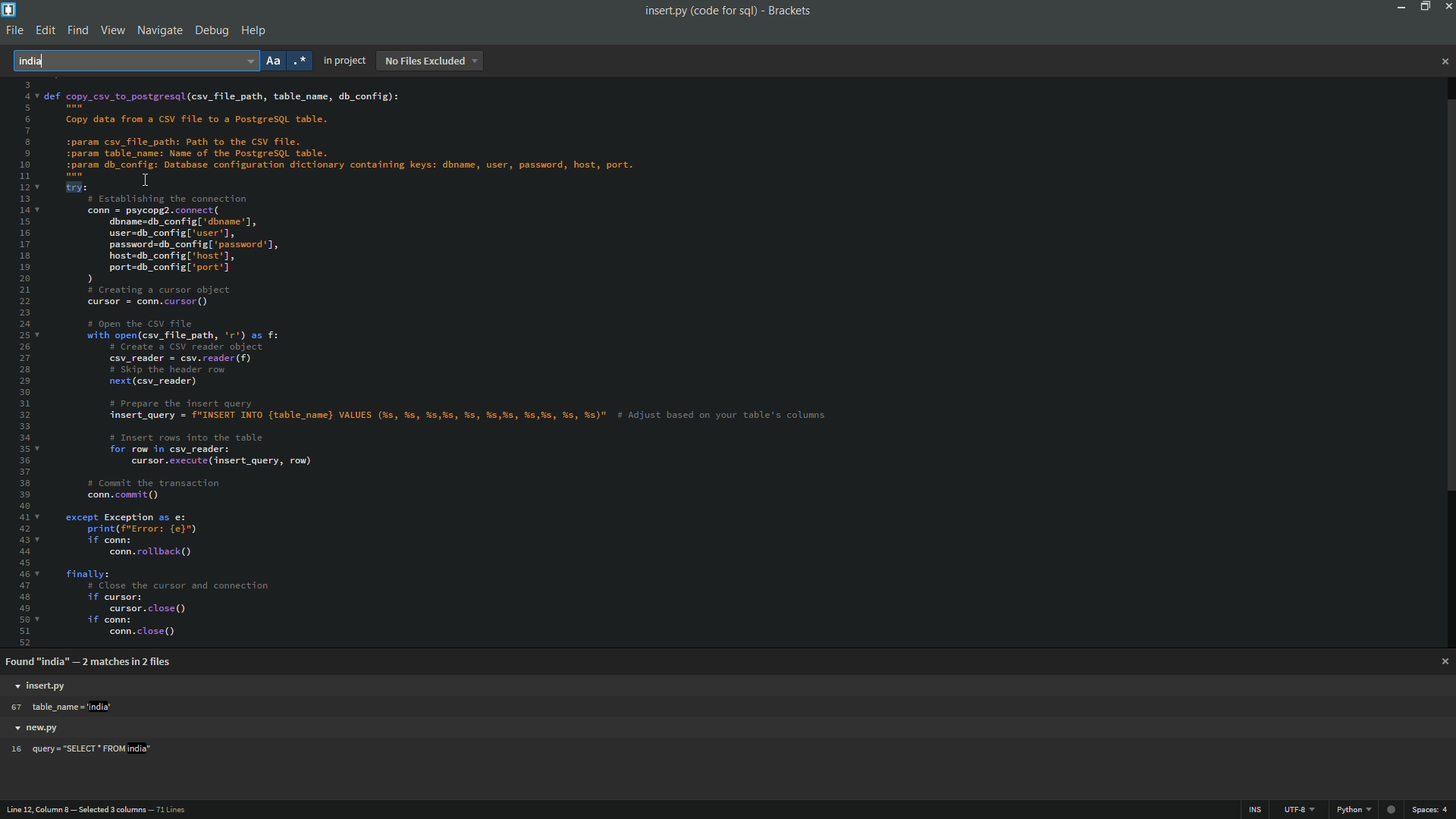  Describe the element at coordinates (790, 11) in the screenshot. I see `app name` at that location.